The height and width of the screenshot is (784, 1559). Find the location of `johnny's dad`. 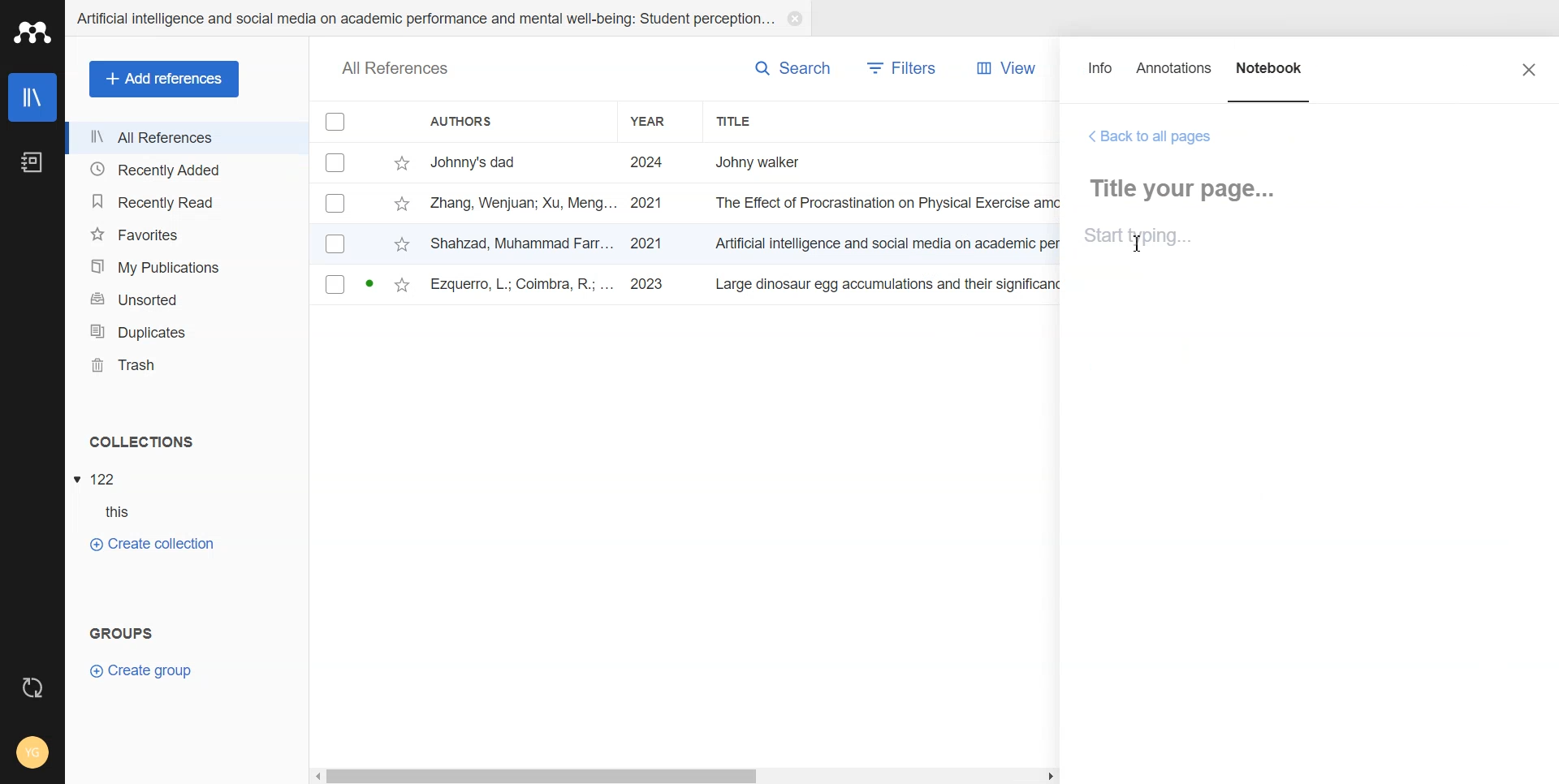

johnny's dad is located at coordinates (524, 161).